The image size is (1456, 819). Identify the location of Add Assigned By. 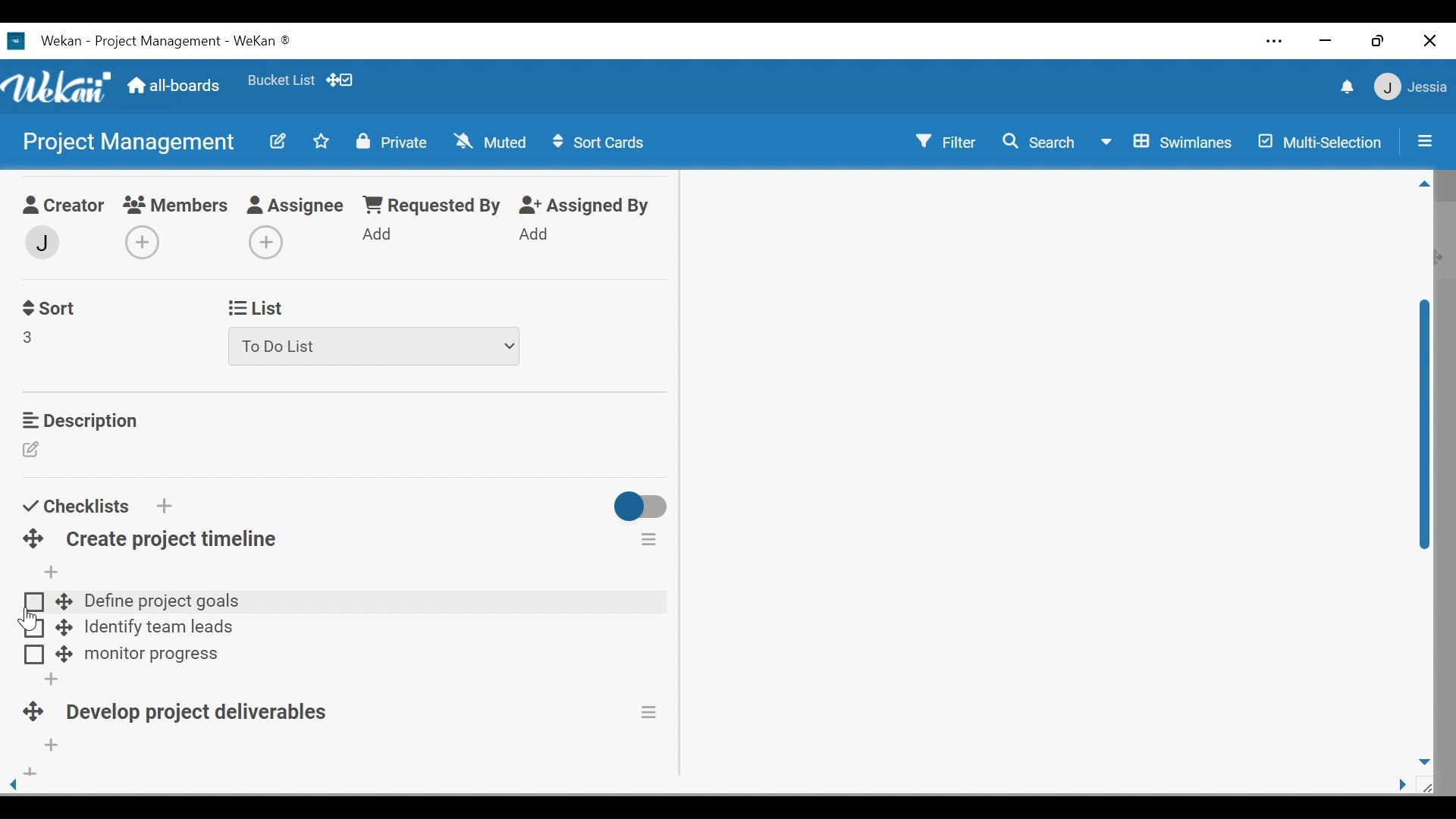
(535, 234).